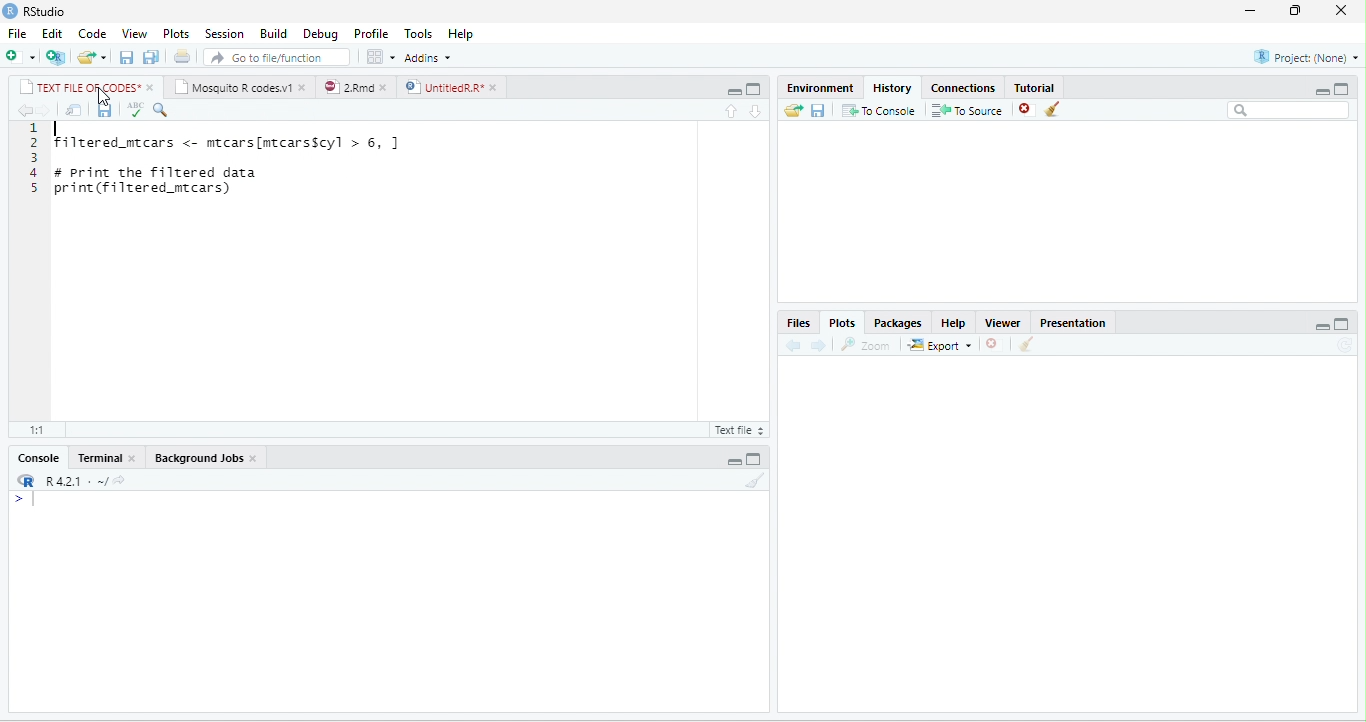  What do you see at coordinates (134, 457) in the screenshot?
I see `close` at bounding box center [134, 457].